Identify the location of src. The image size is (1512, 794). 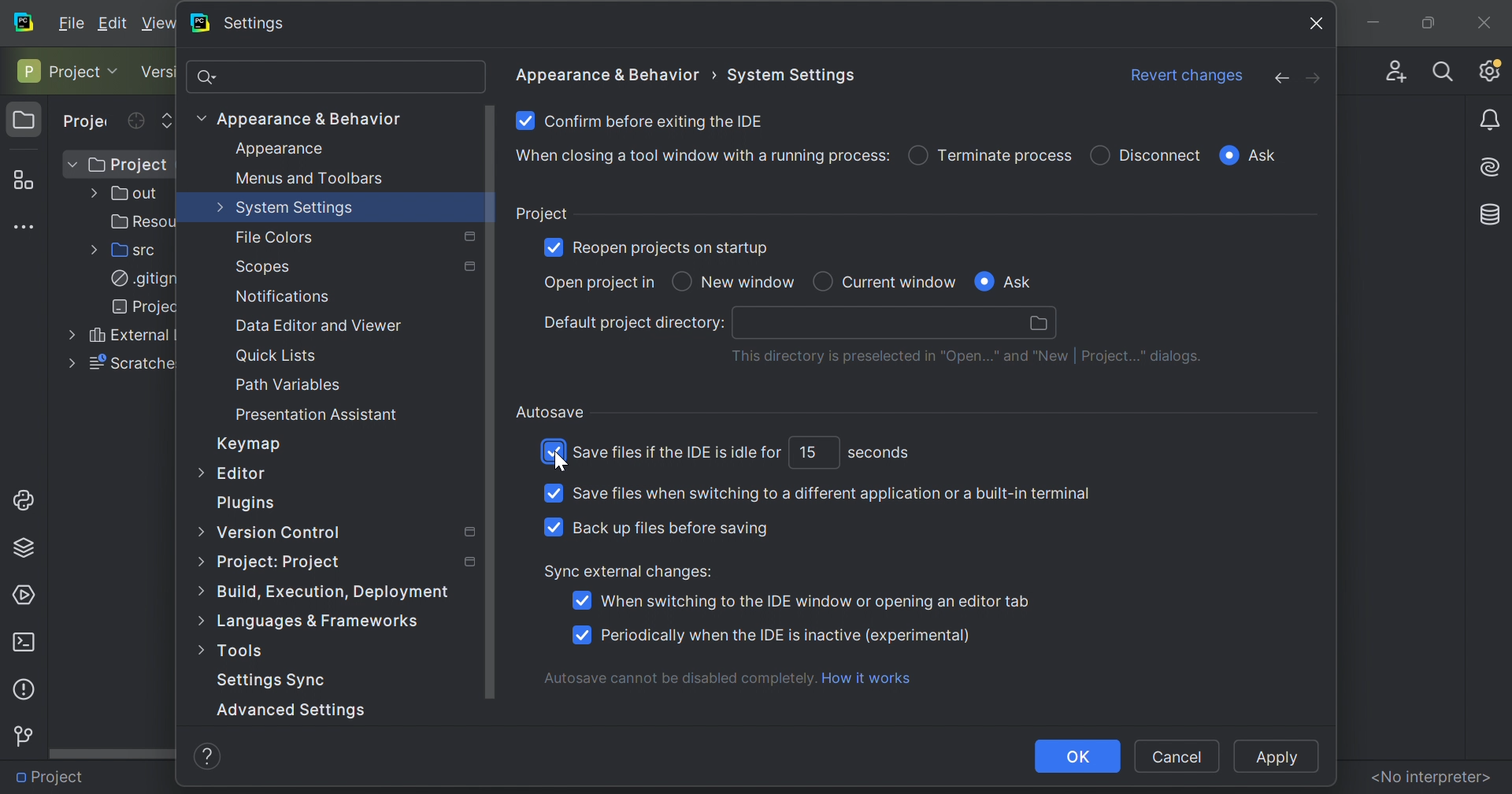
(130, 250).